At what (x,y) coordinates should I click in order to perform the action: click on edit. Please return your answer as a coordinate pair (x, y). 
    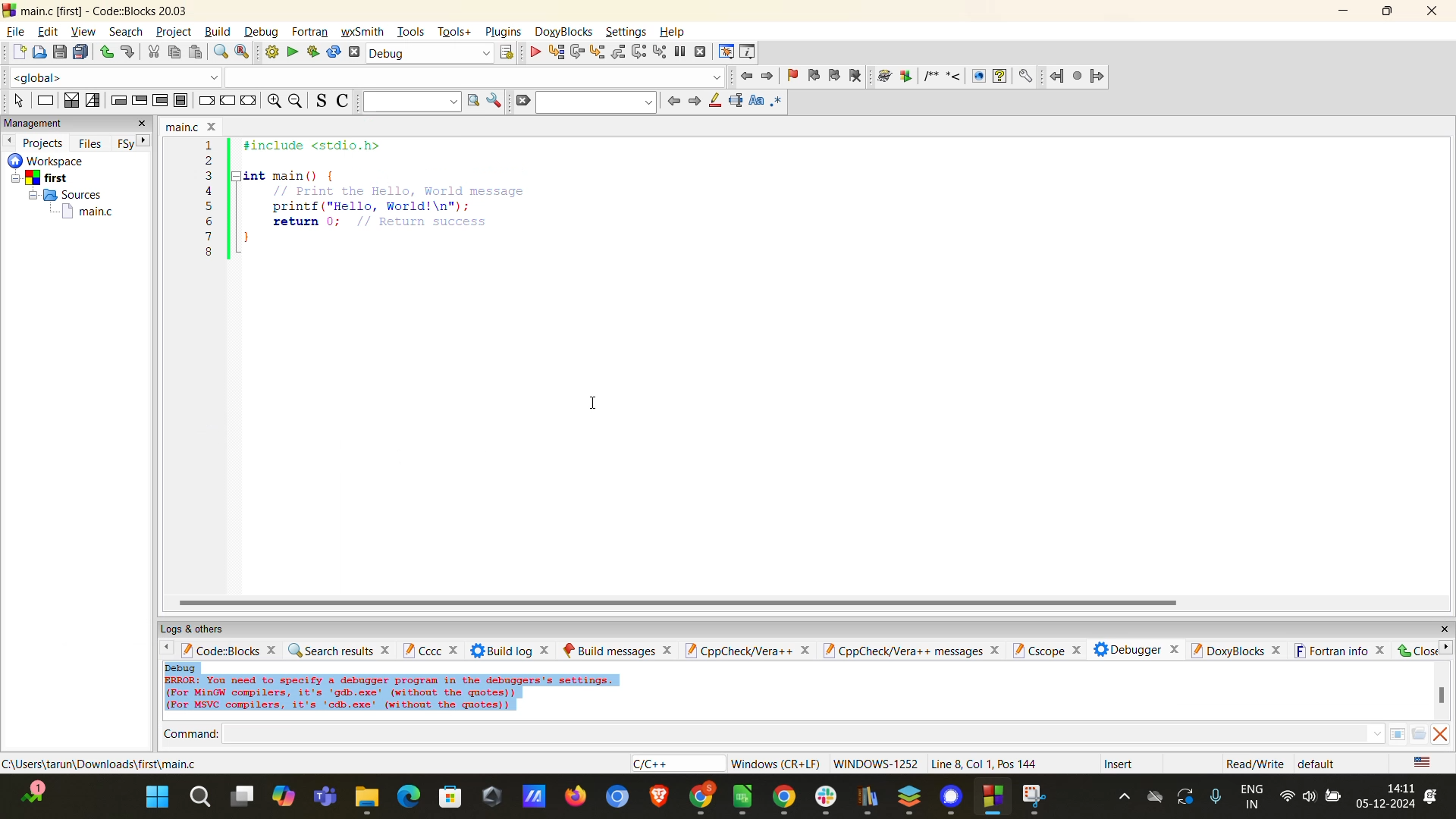
    Looking at the image, I should click on (49, 33).